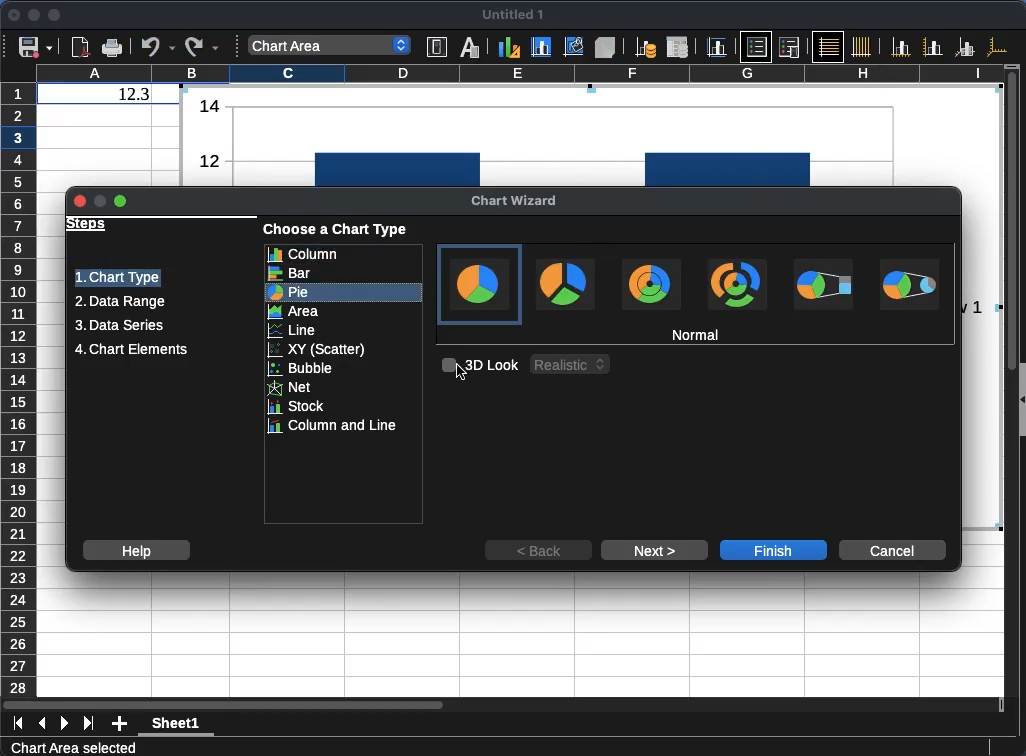  Describe the element at coordinates (82, 48) in the screenshot. I see `Export directly as PDF` at that location.